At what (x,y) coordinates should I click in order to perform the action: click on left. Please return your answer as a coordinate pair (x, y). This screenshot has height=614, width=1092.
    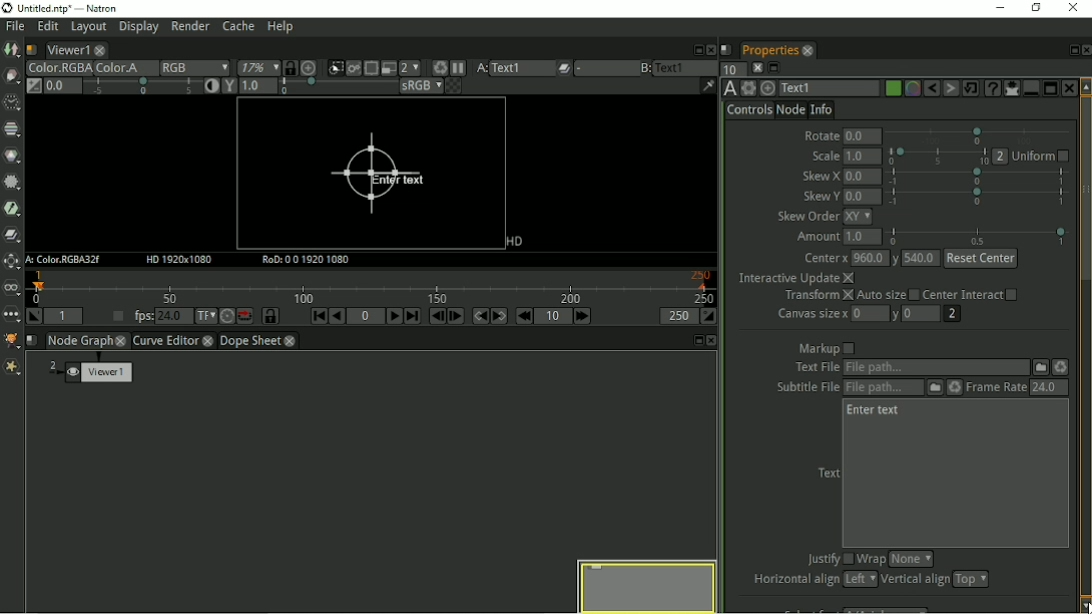
    Looking at the image, I should click on (860, 579).